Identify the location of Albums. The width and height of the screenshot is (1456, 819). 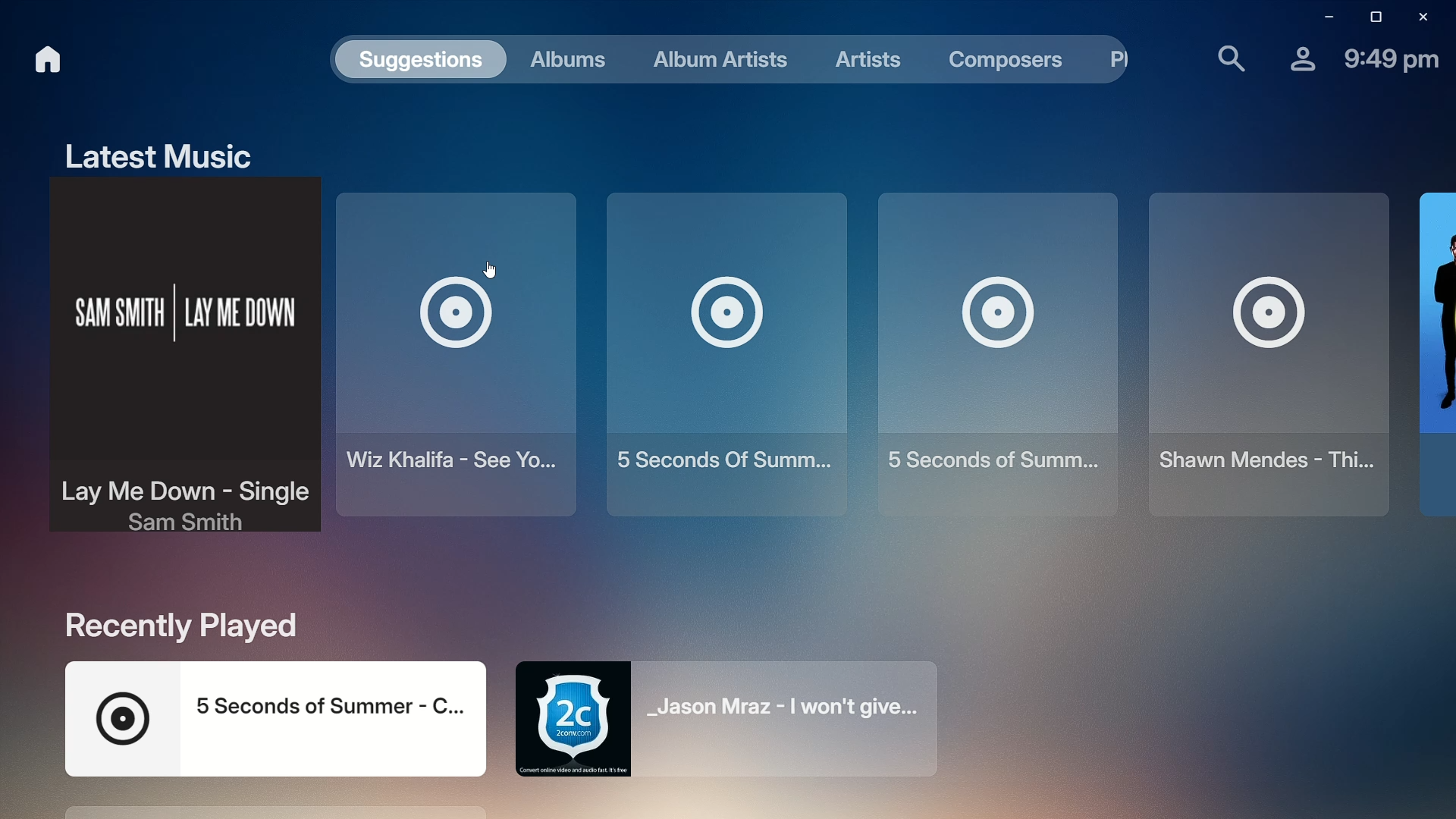
(563, 61).